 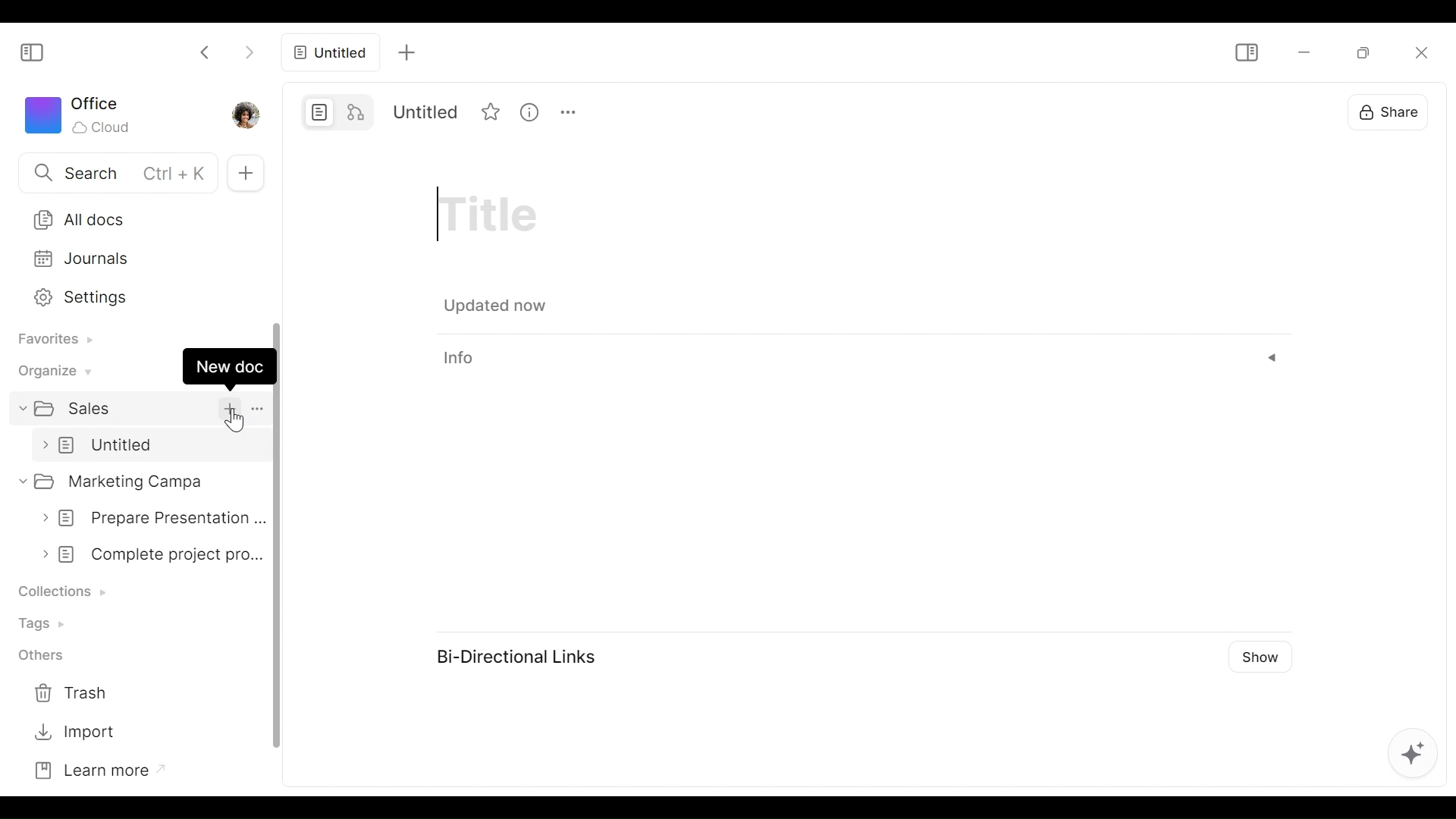 What do you see at coordinates (257, 408) in the screenshot?
I see `More options` at bounding box center [257, 408].